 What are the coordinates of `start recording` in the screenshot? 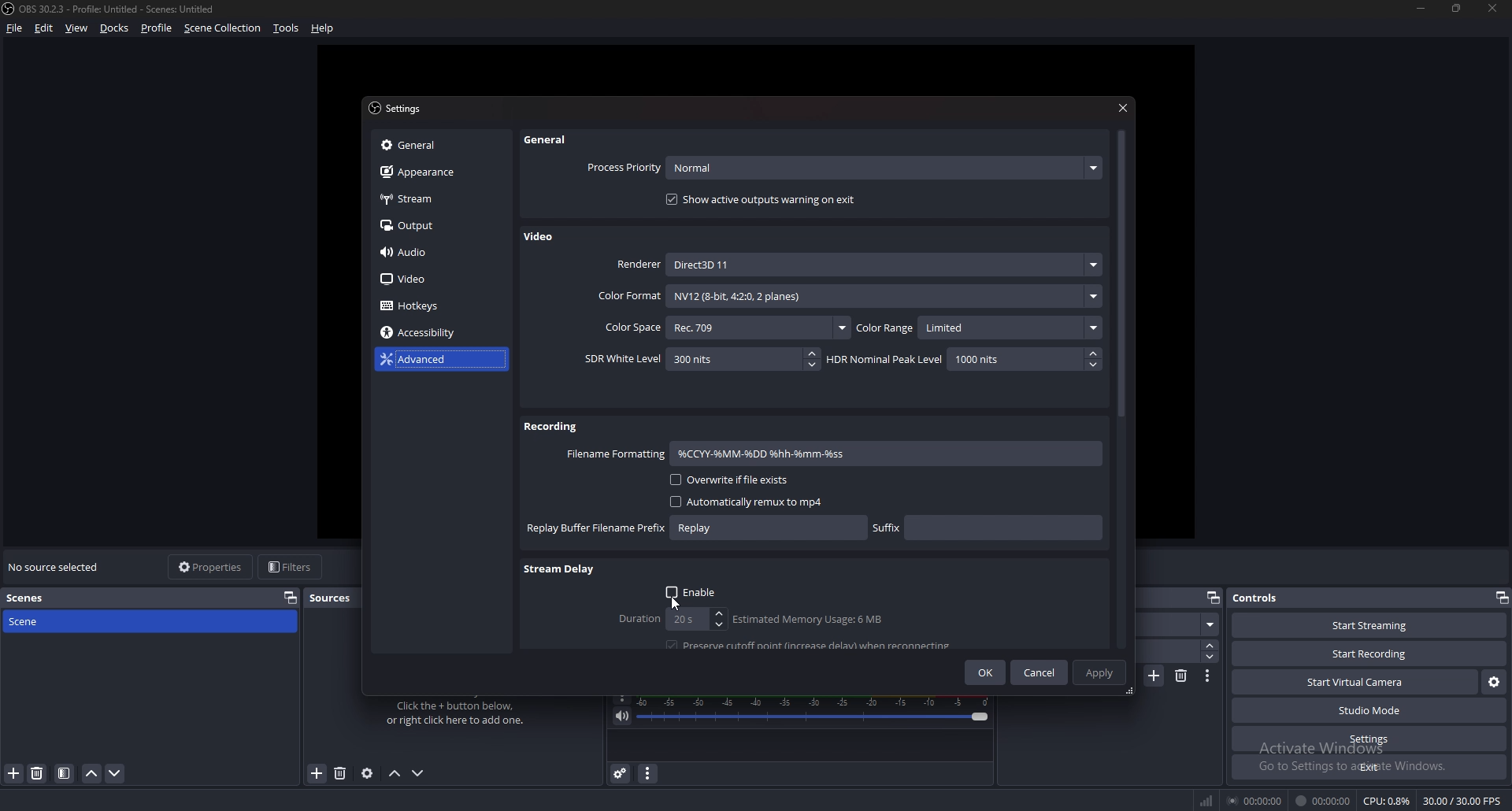 It's located at (1370, 654).